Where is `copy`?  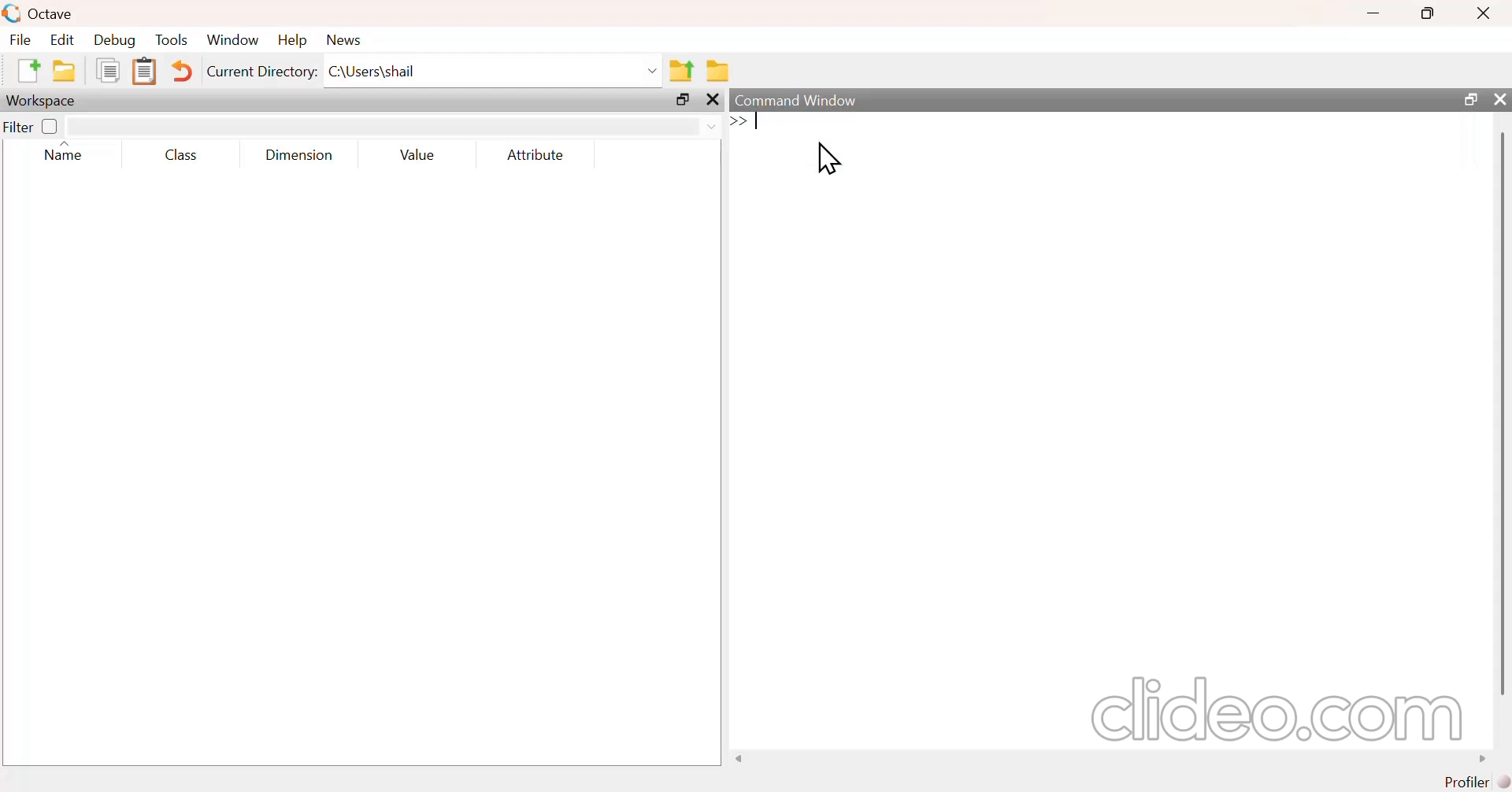
copy is located at coordinates (103, 72).